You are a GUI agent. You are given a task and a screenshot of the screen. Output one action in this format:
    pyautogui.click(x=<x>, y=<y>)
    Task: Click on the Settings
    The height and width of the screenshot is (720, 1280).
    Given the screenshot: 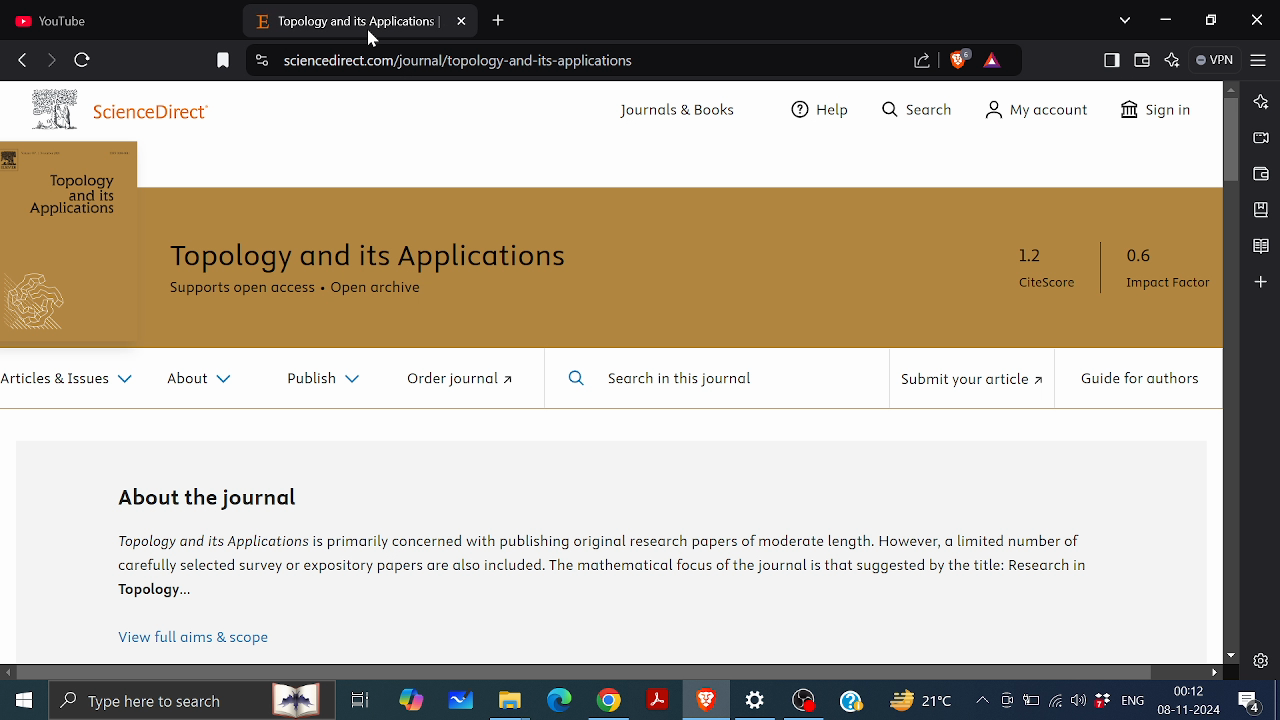 What is the action you would take?
    pyautogui.click(x=757, y=701)
    